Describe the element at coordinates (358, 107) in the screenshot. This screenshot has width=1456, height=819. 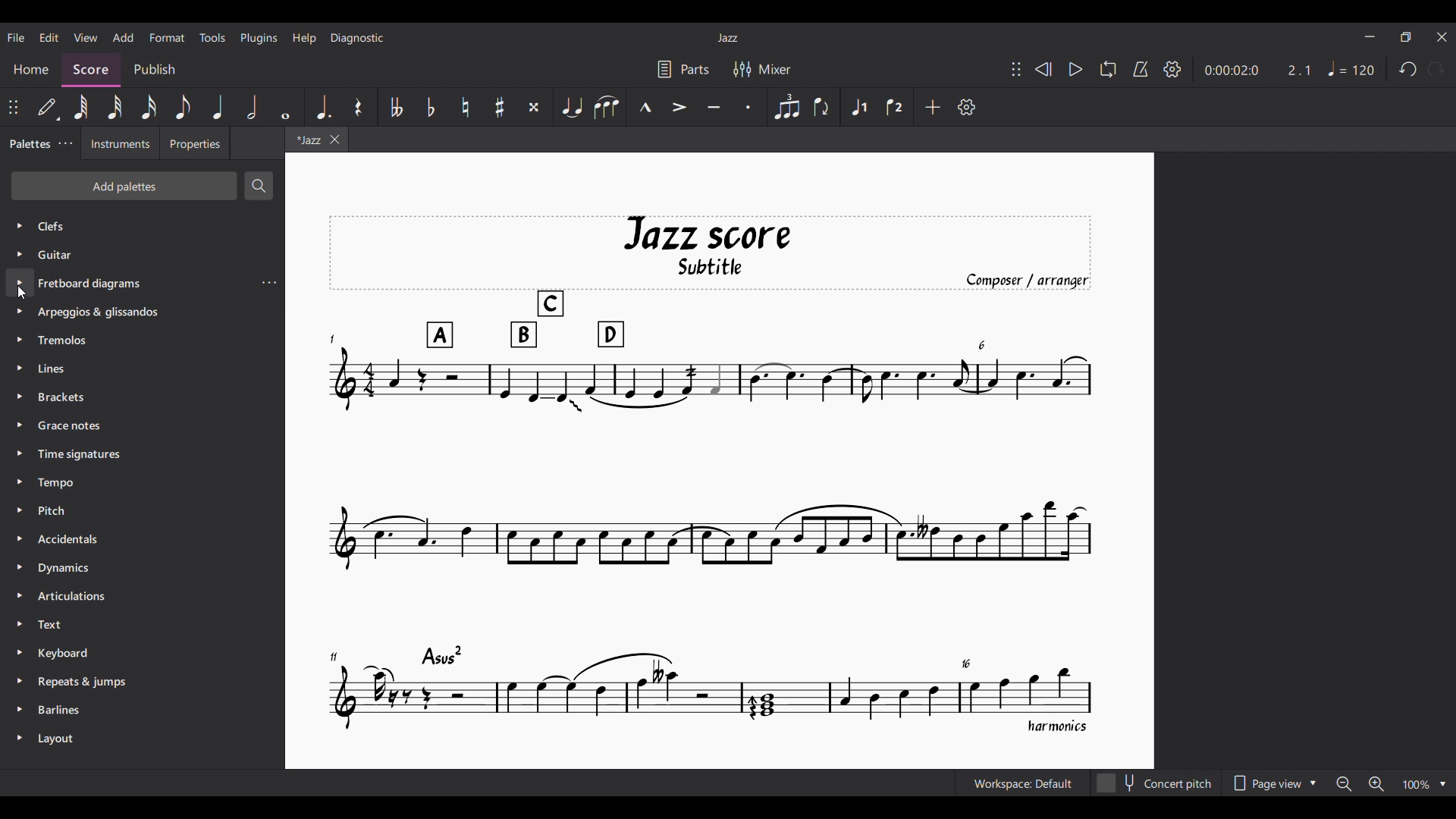
I see `Rest` at that location.